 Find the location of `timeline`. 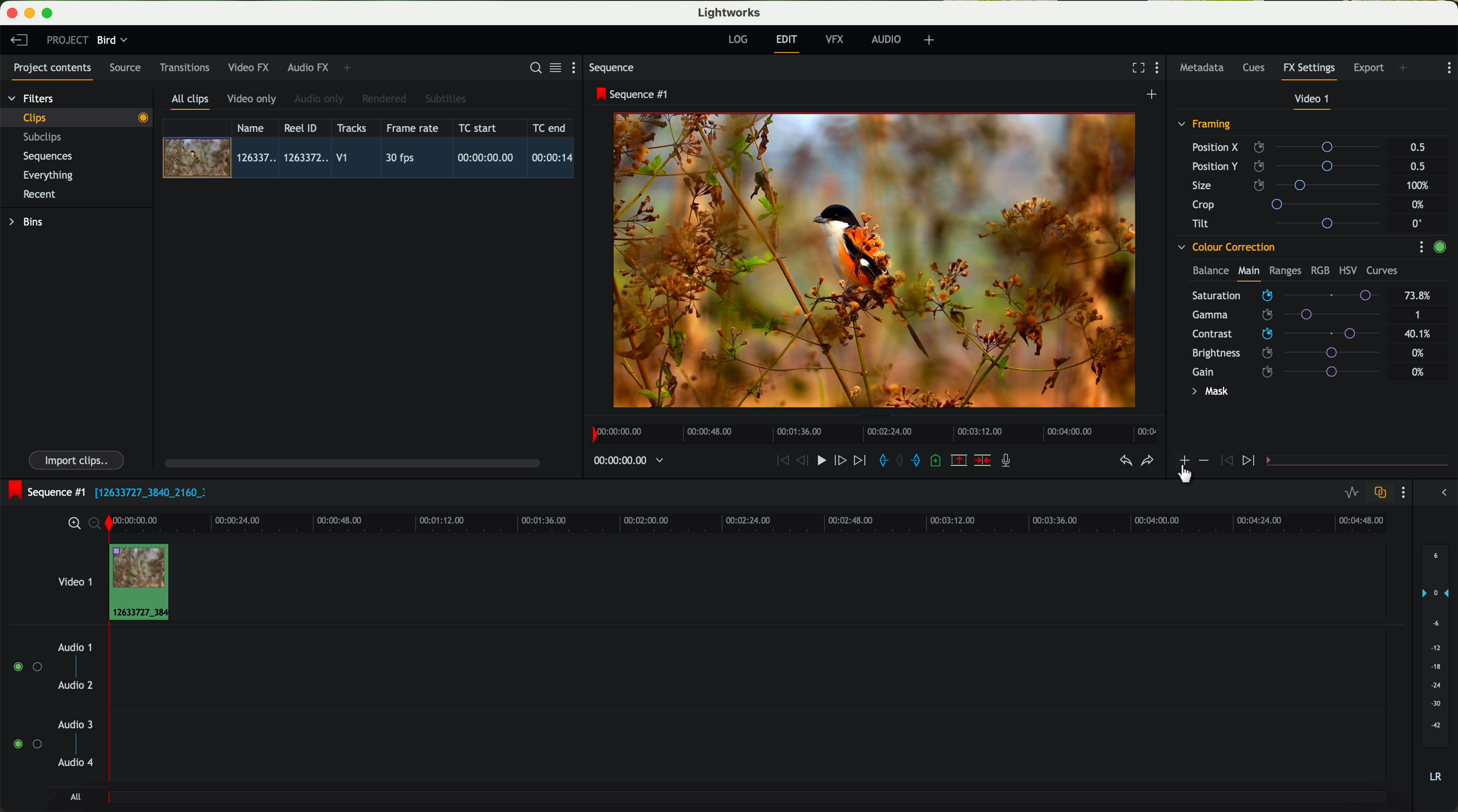

timeline is located at coordinates (871, 431).